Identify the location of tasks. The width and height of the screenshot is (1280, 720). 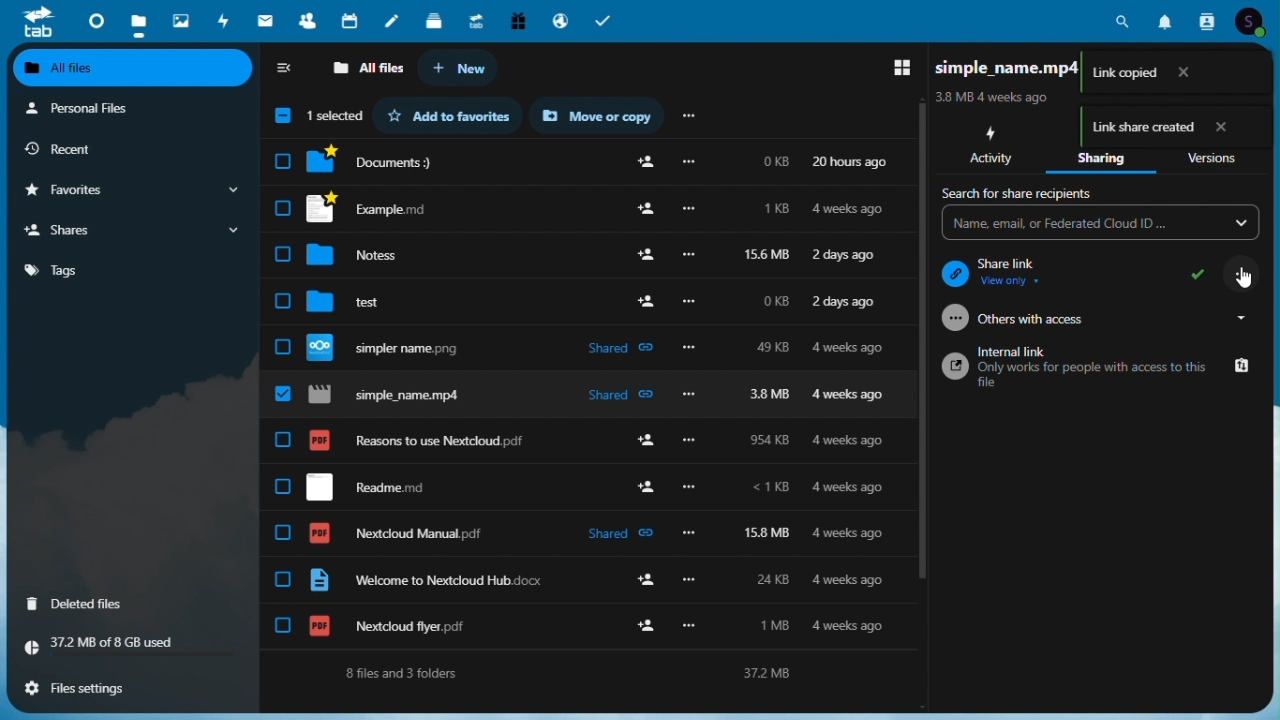
(607, 20).